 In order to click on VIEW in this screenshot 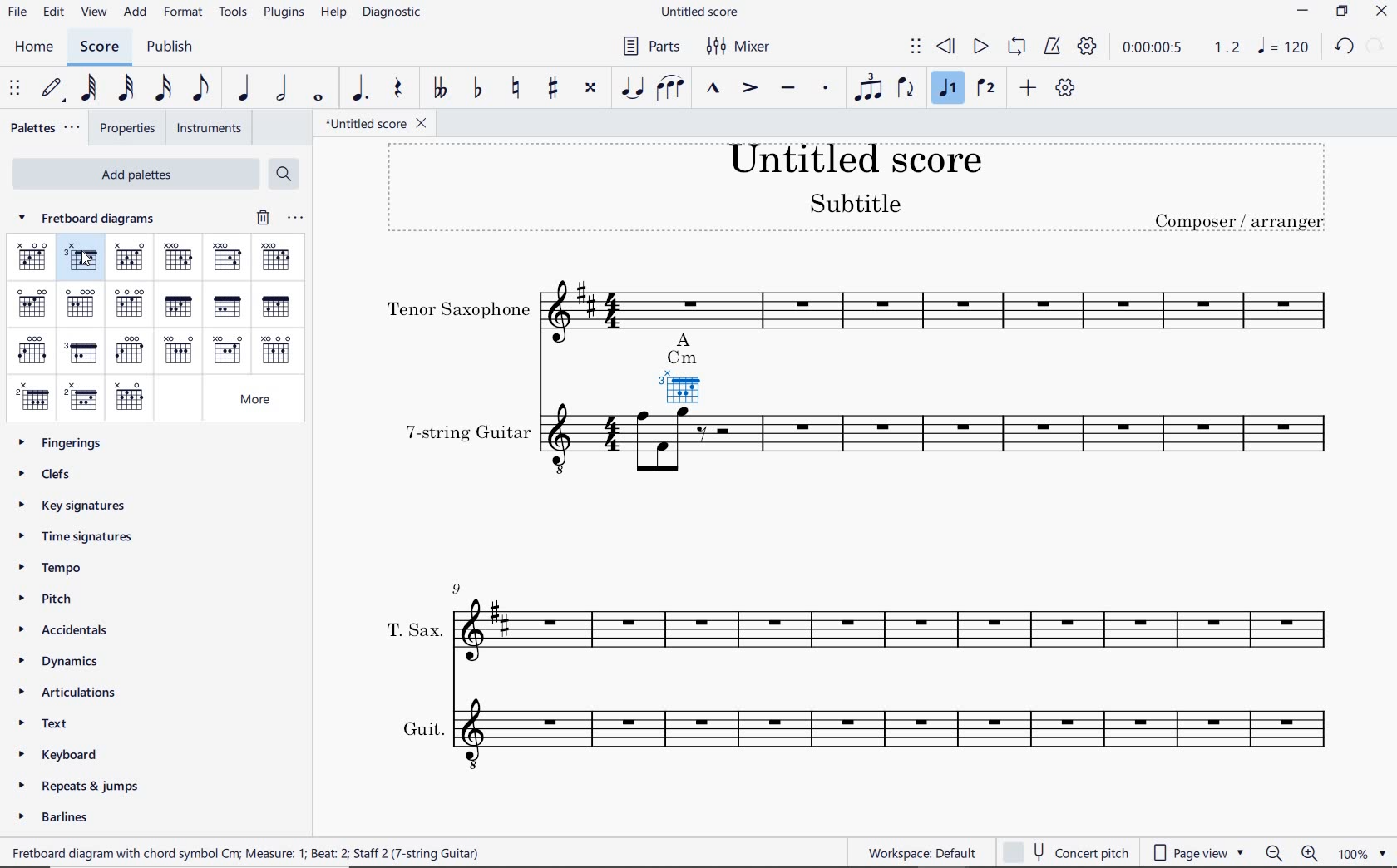, I will do `click(93, 12)`.